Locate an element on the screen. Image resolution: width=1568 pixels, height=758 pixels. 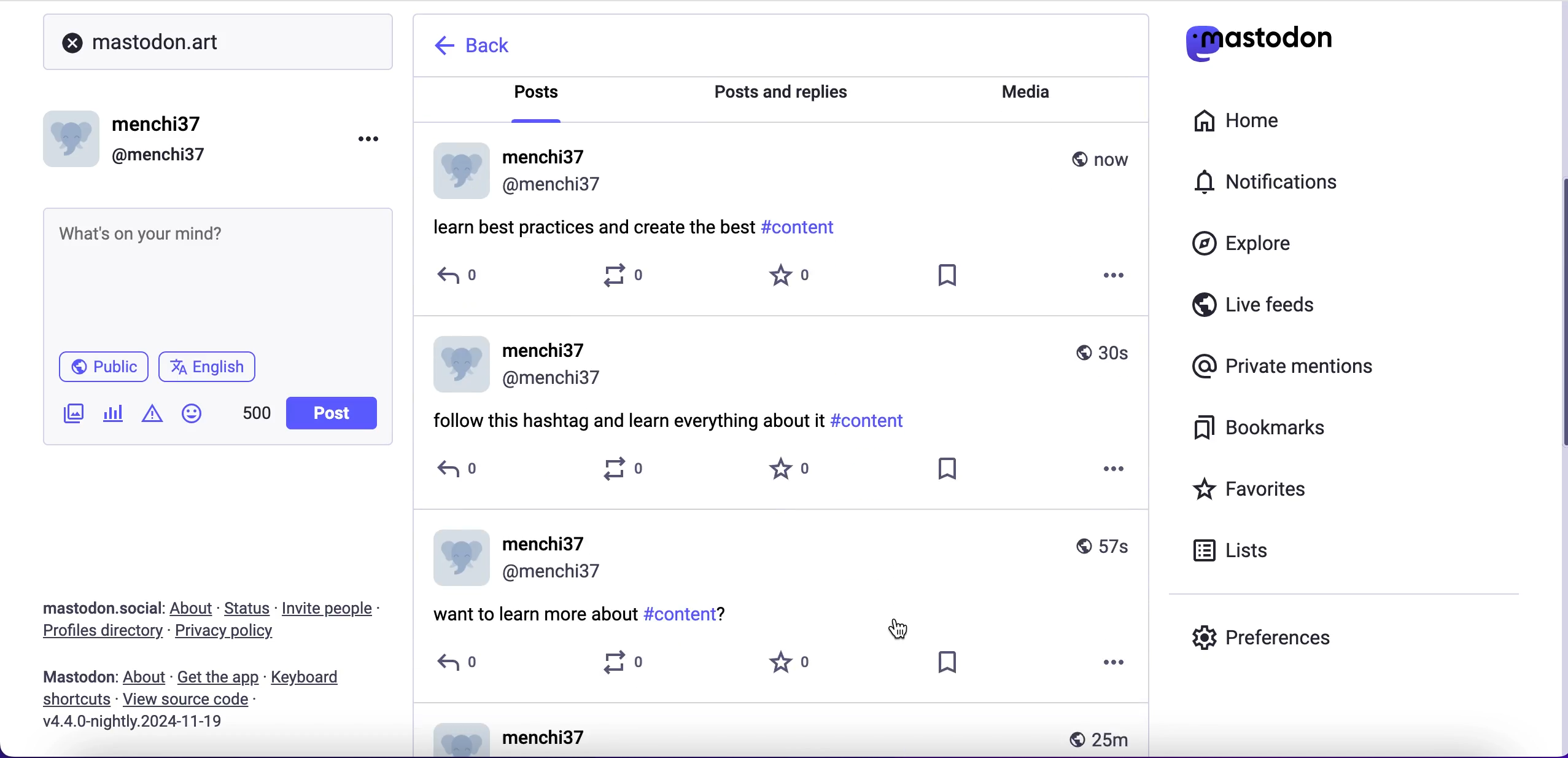
#content is located at coordinates (800, 226).